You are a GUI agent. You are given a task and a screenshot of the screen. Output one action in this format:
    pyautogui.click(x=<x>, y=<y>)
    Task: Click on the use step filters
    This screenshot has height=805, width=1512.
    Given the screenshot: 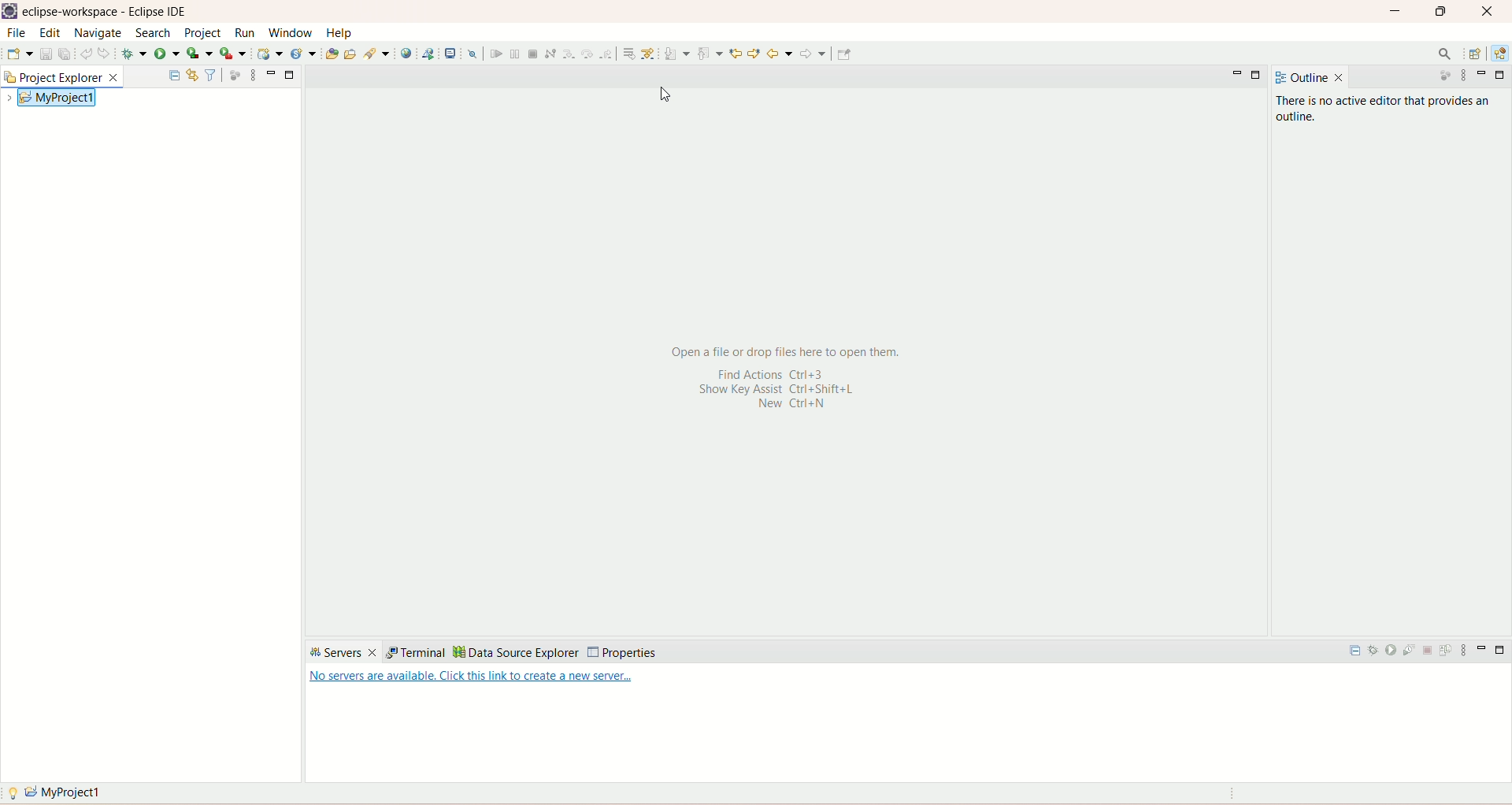 What is the action you would take?
    pyautogui.click(x=651, y=53)
    